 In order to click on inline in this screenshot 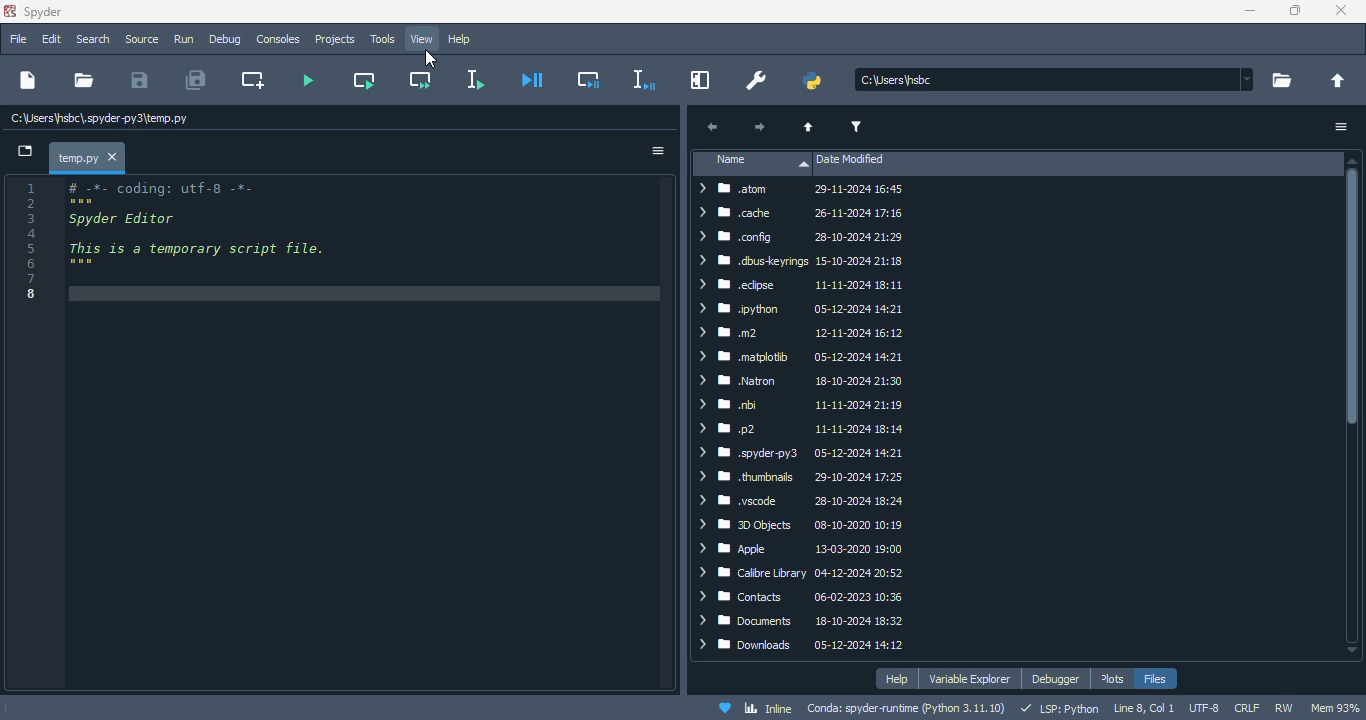, I will do `click(768, 709)`.